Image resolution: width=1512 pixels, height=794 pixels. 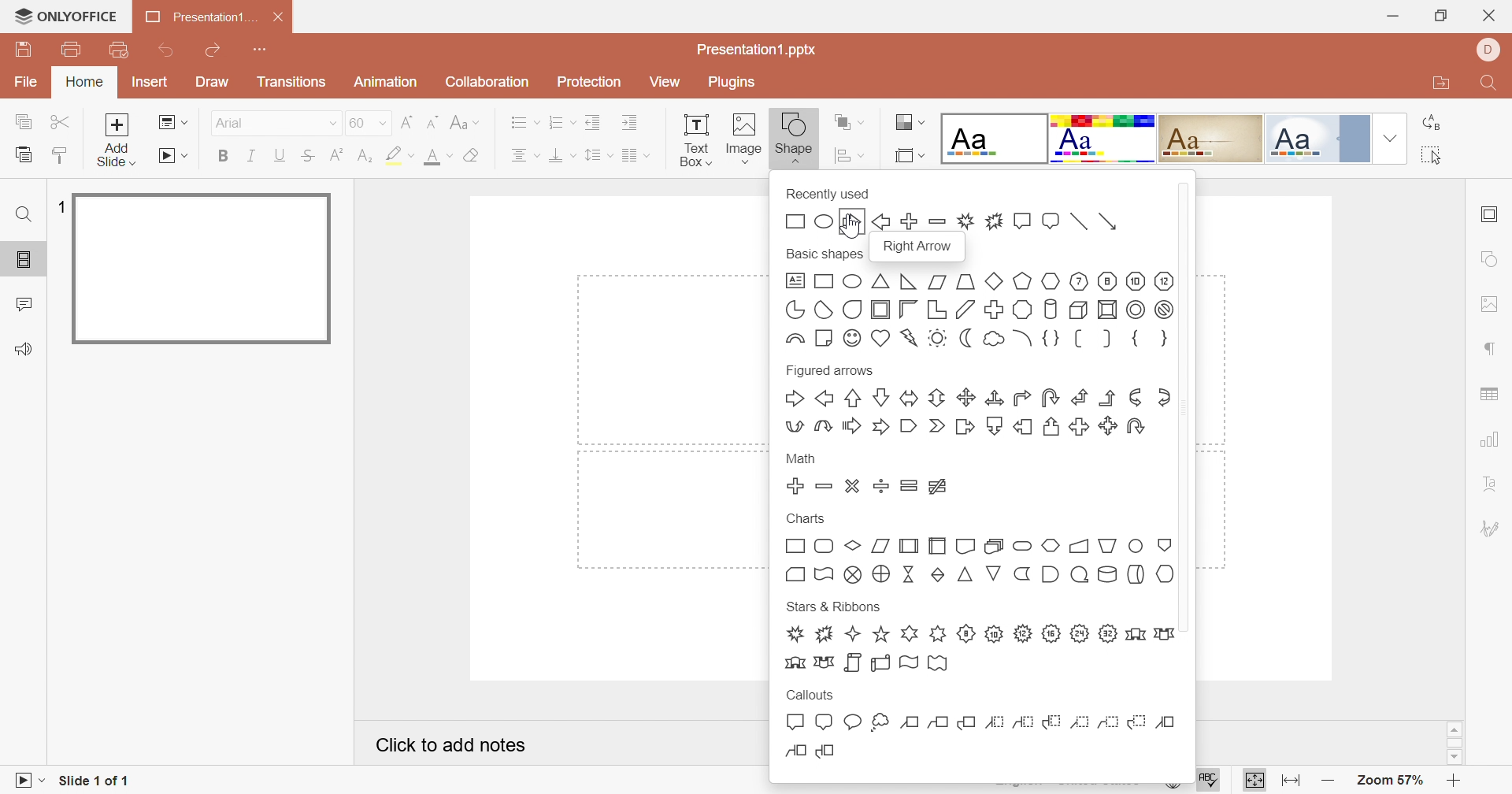 What do you see at coordinates (812, 694) in the screenshot?
I see `Callouts` at bounding box center [812, 694].